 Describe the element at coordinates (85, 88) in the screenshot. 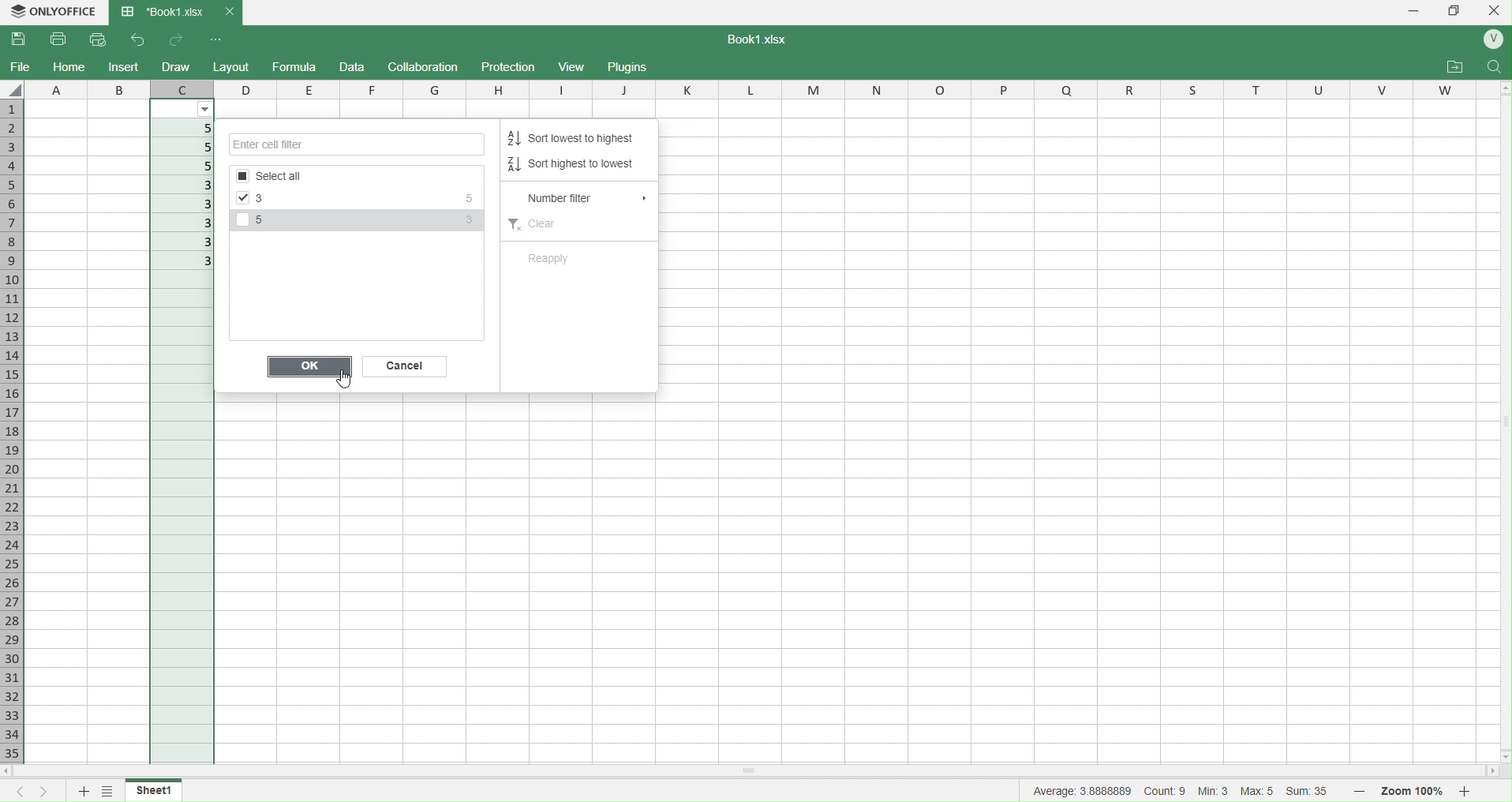

I see `columns` at that location.